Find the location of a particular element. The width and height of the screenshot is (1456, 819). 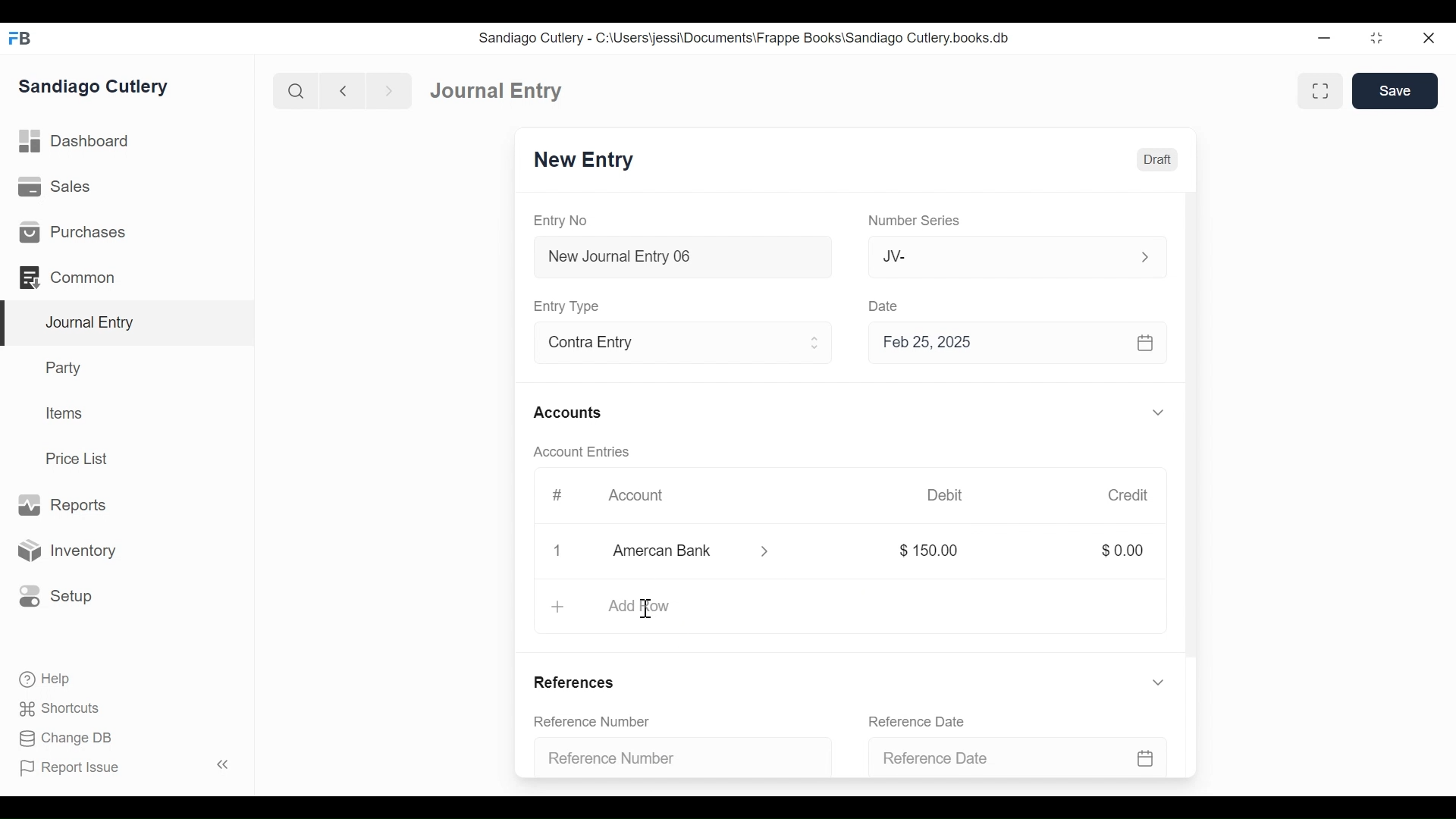

Close is located at coordinates (1431, 37).